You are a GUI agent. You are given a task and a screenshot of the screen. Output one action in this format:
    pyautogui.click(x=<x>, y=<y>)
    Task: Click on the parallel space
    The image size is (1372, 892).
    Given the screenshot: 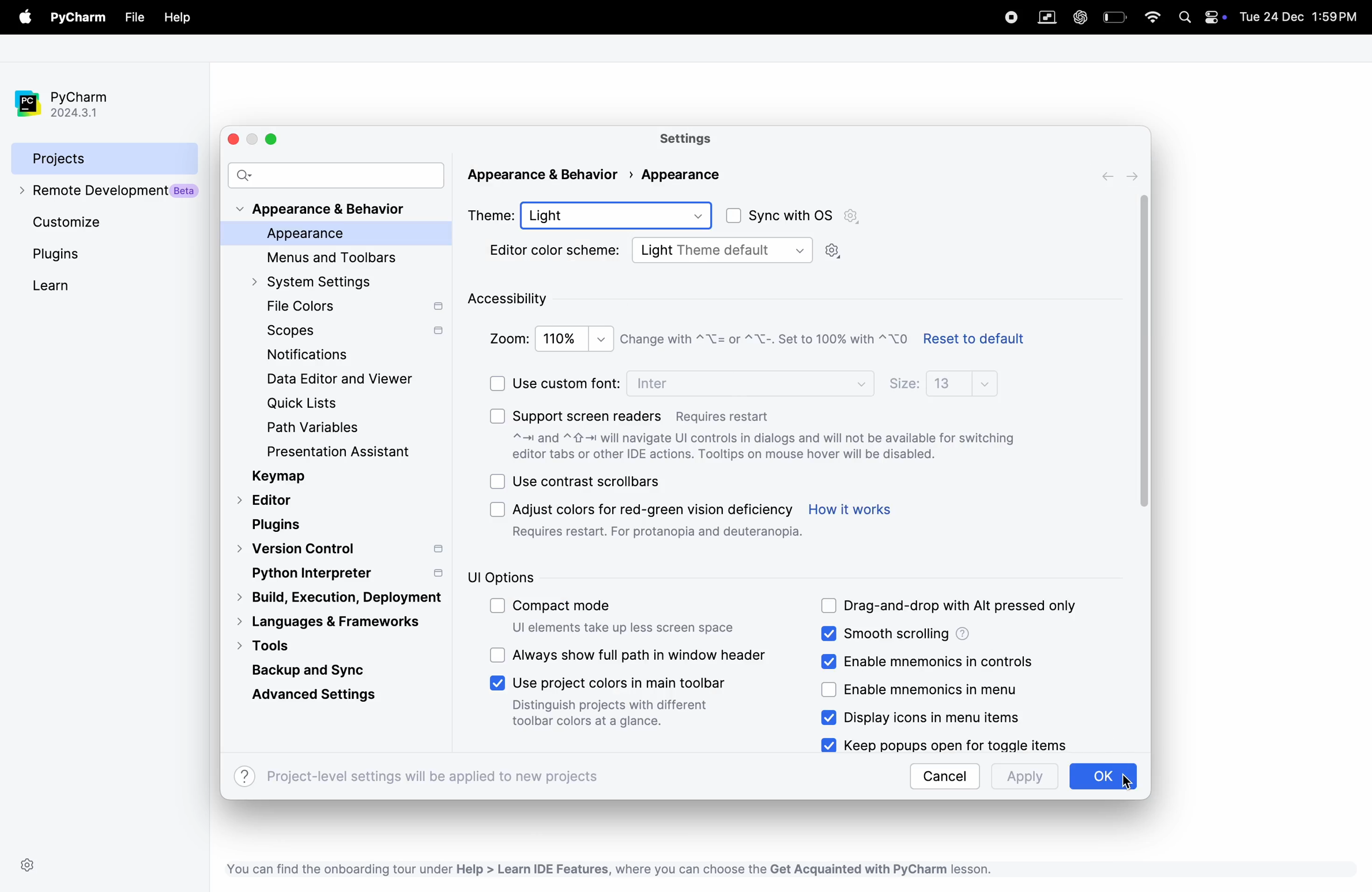 What is the action you would take?
    pyautogui.click(x=1050, y=17)
    